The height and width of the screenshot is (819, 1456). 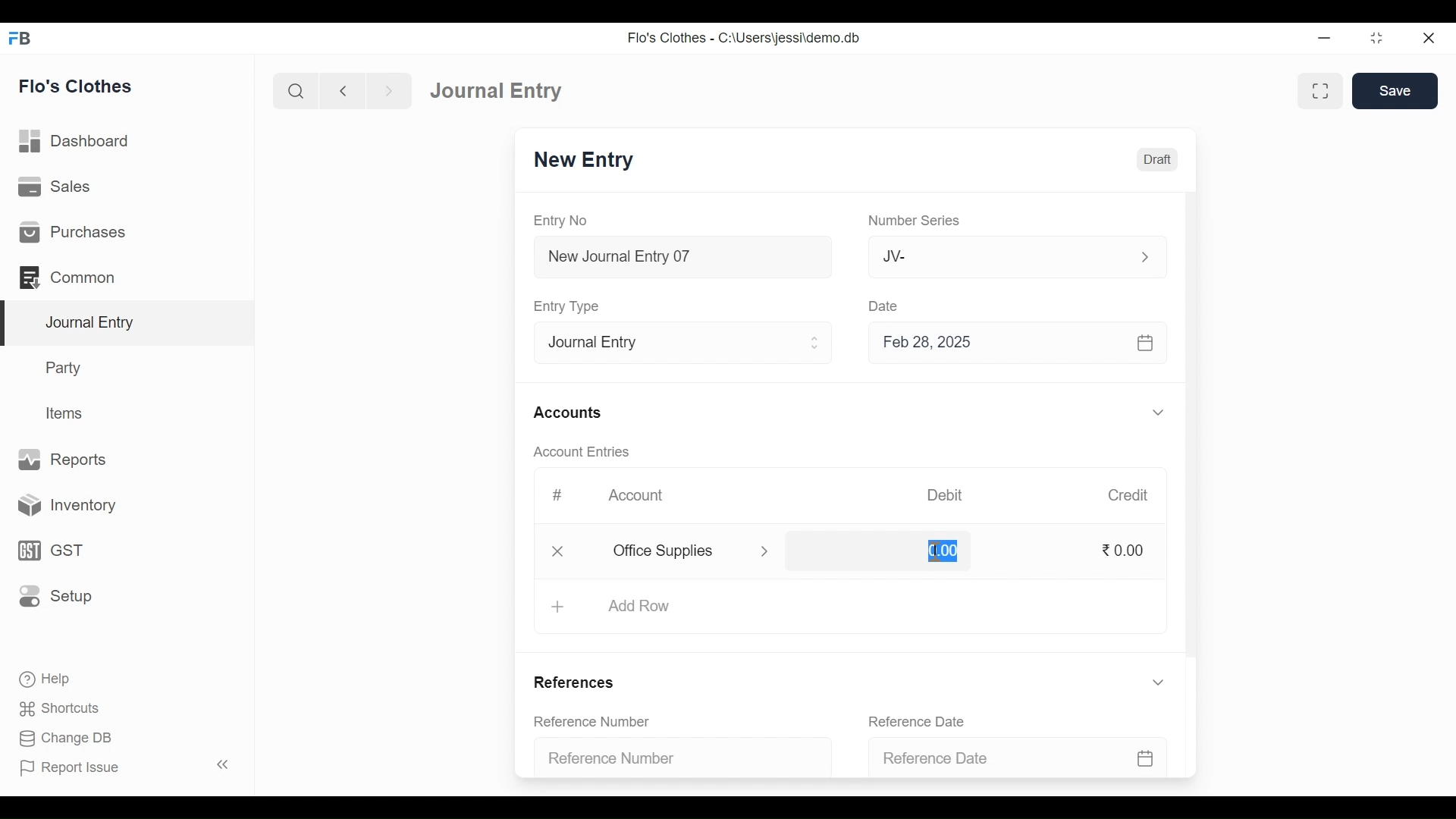 I want to click on Entry No, so click(x=560, y=220).